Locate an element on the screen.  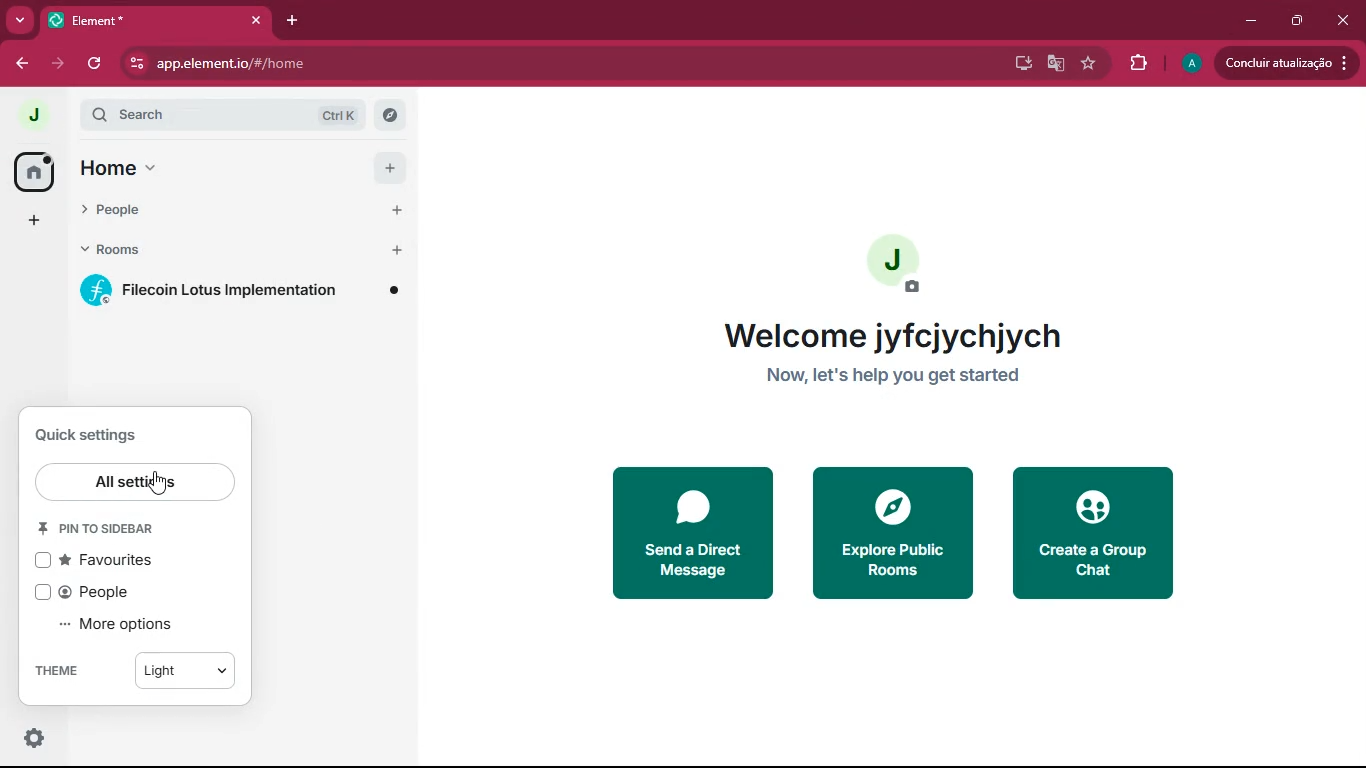
favourites is located at coordinates (101, 562).